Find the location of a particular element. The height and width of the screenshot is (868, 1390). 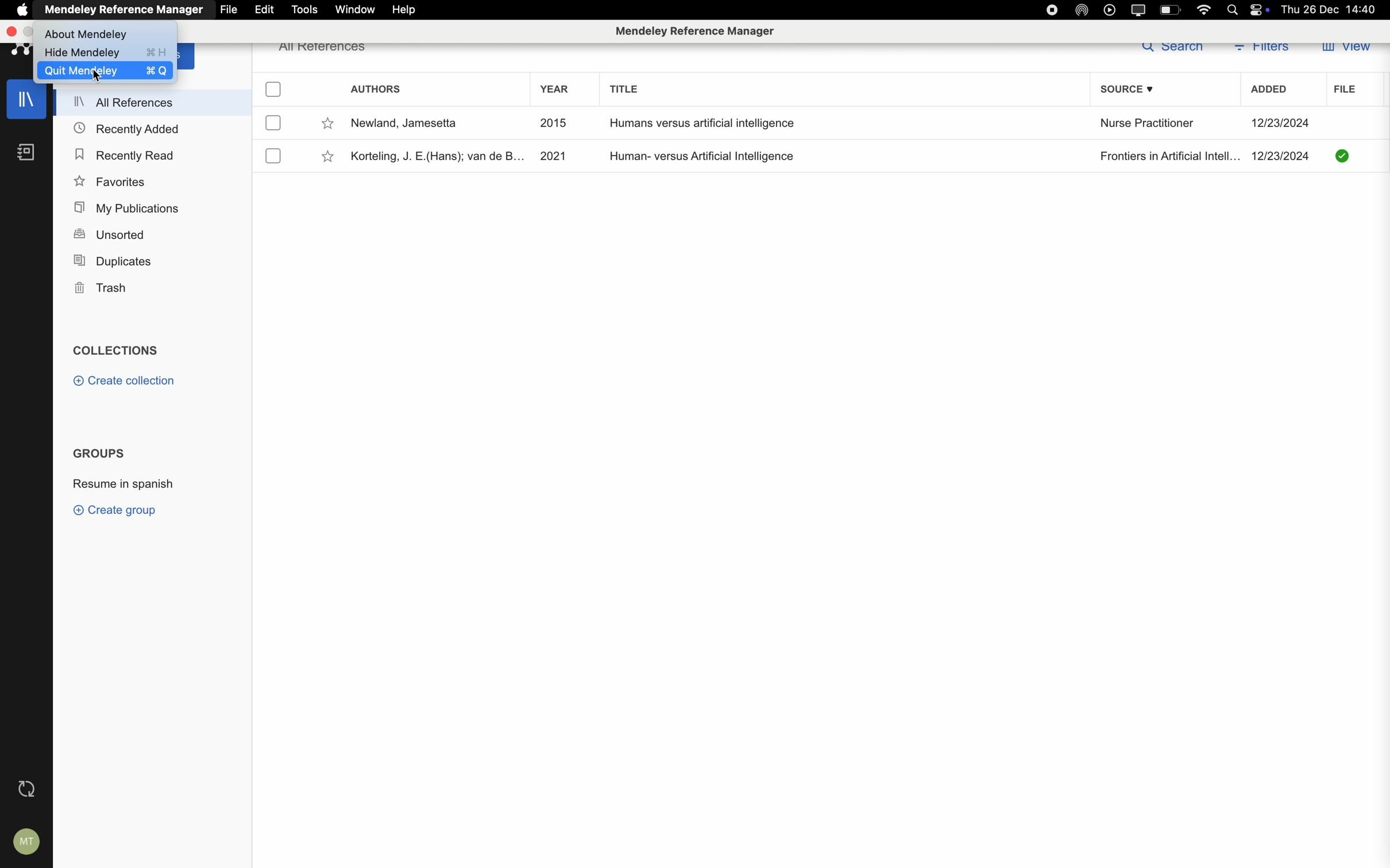

Nurse Practitioner is located at coordinates (1147, 124).